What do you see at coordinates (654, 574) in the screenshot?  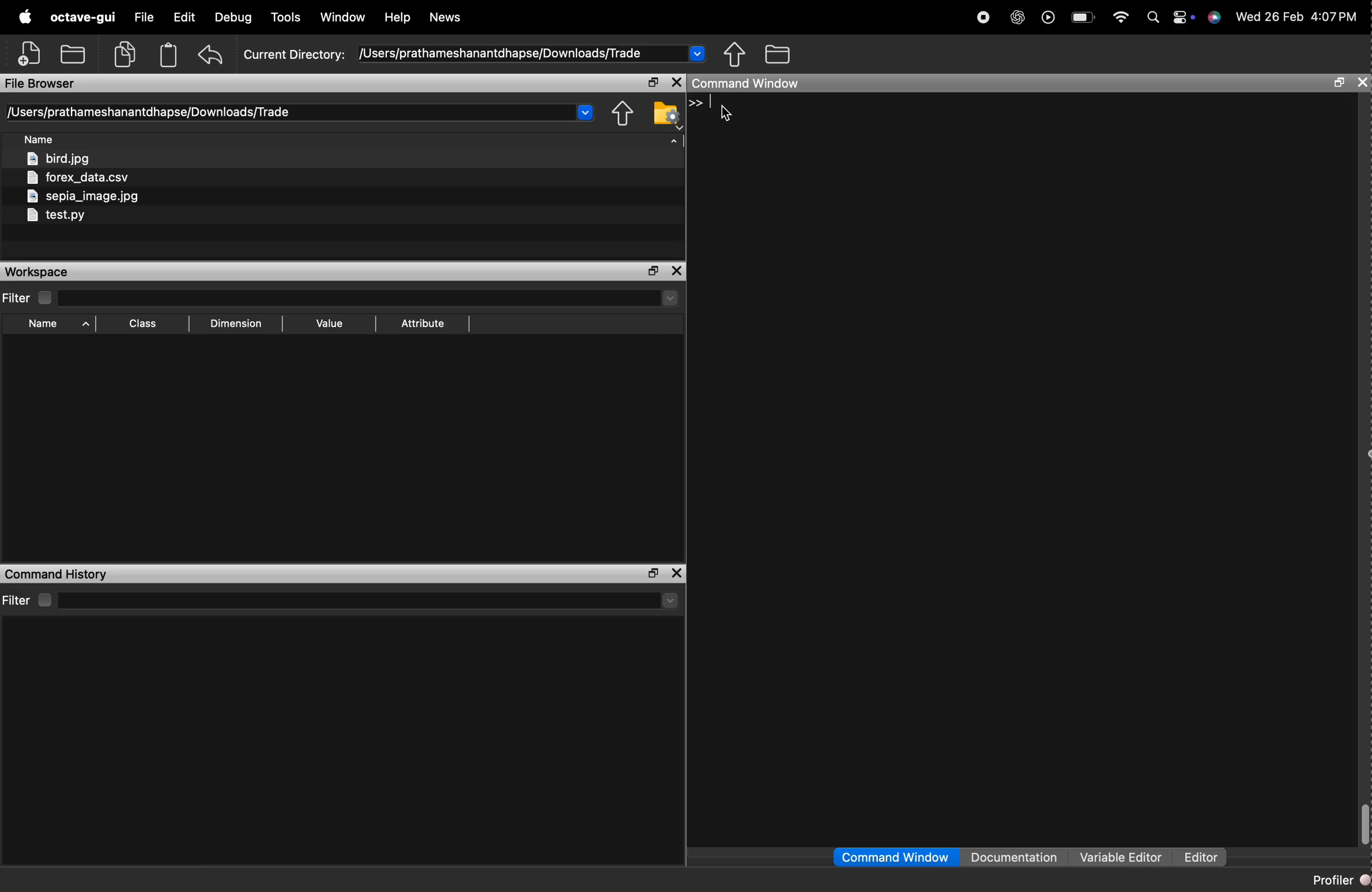 I see `open in separate window` at bounding box center [654, 574].